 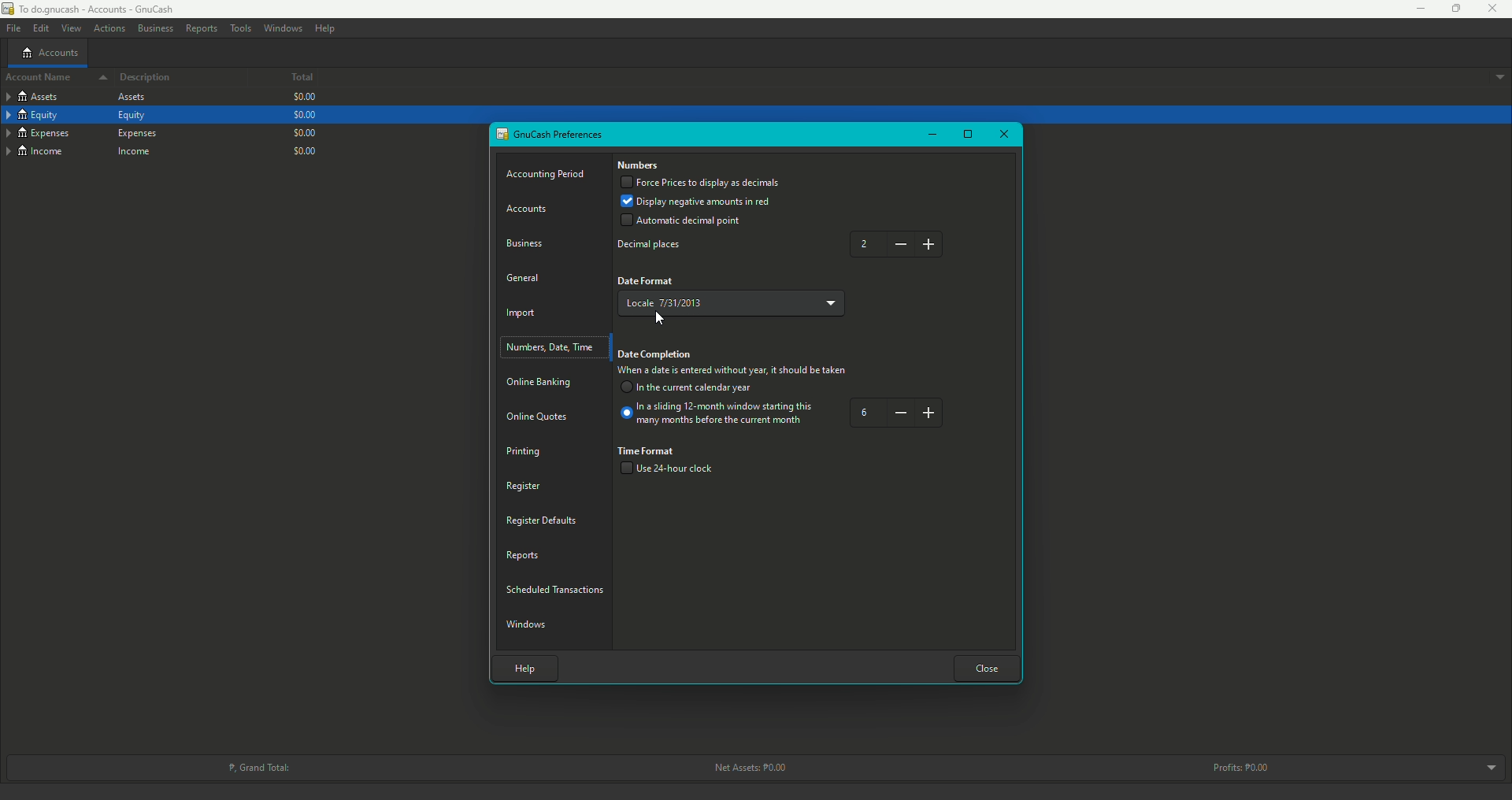 What do you see at coordinates (70, 28) in the screenshot?
I see `View` at bounding box center [70, 28].